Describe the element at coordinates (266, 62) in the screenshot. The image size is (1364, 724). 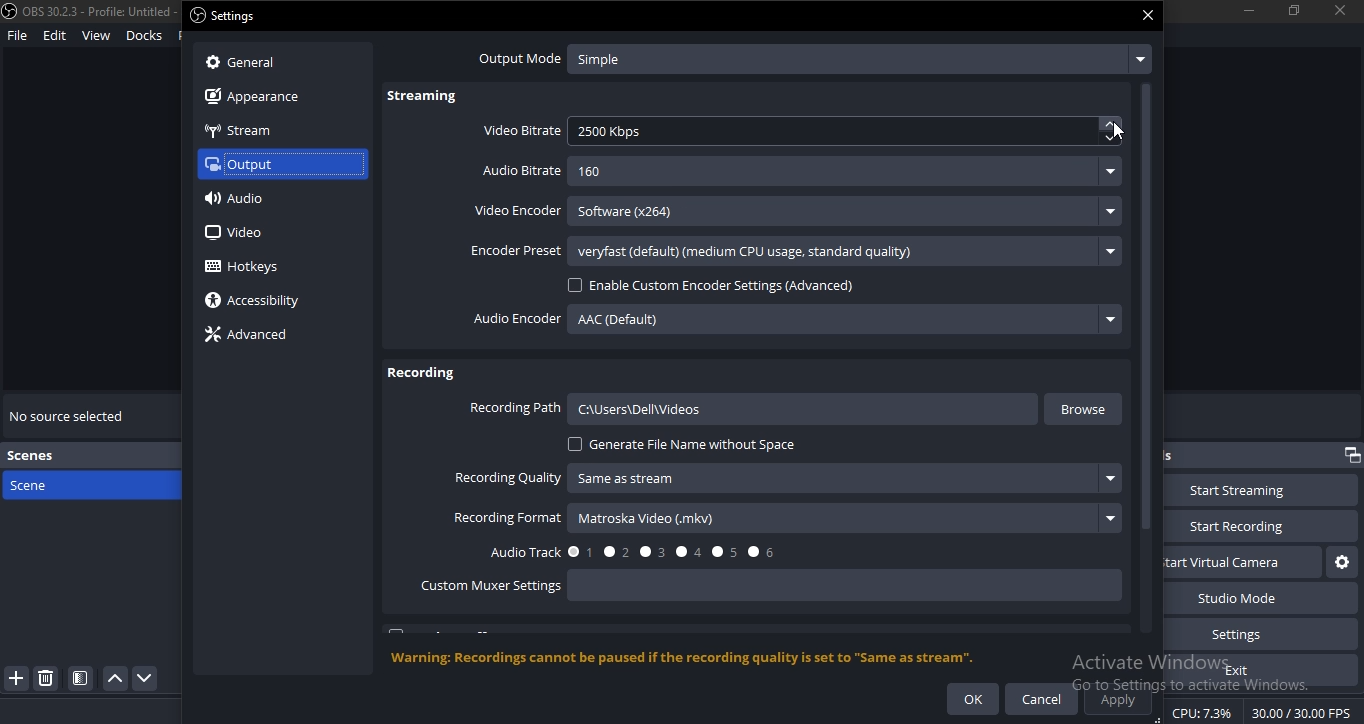
I see `general` at that location.